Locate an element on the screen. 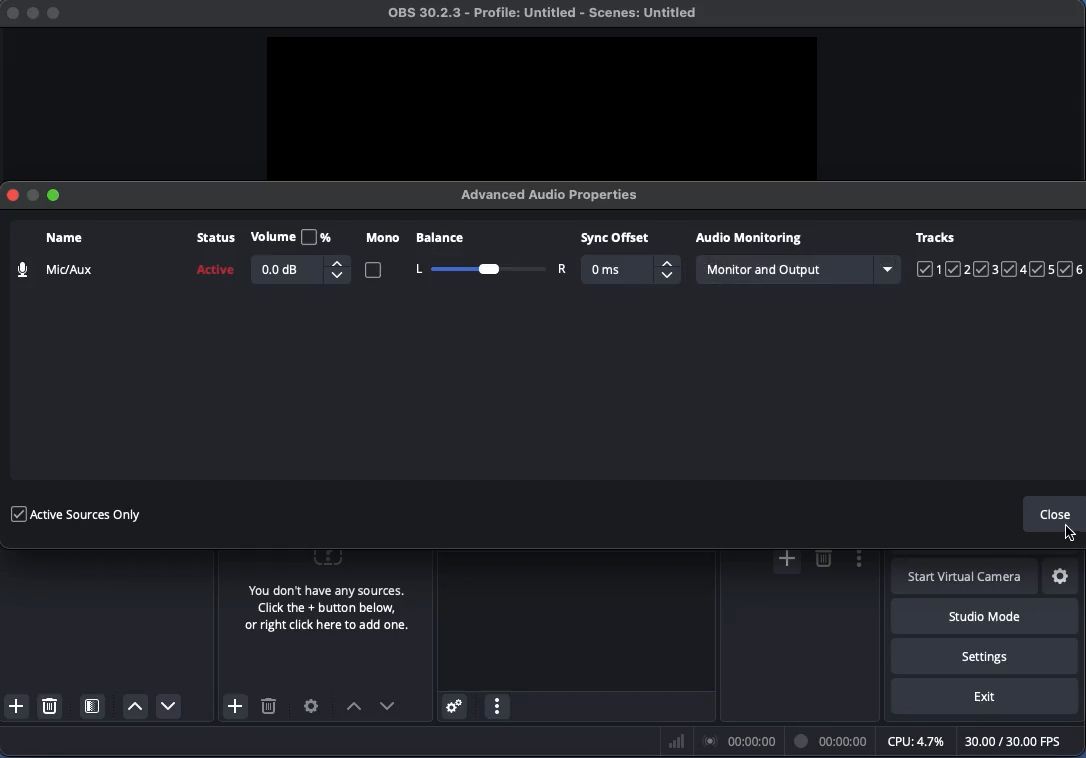 The width and height of the screenshot is (1086, 758). Delete is located at coordinates (52, 705).